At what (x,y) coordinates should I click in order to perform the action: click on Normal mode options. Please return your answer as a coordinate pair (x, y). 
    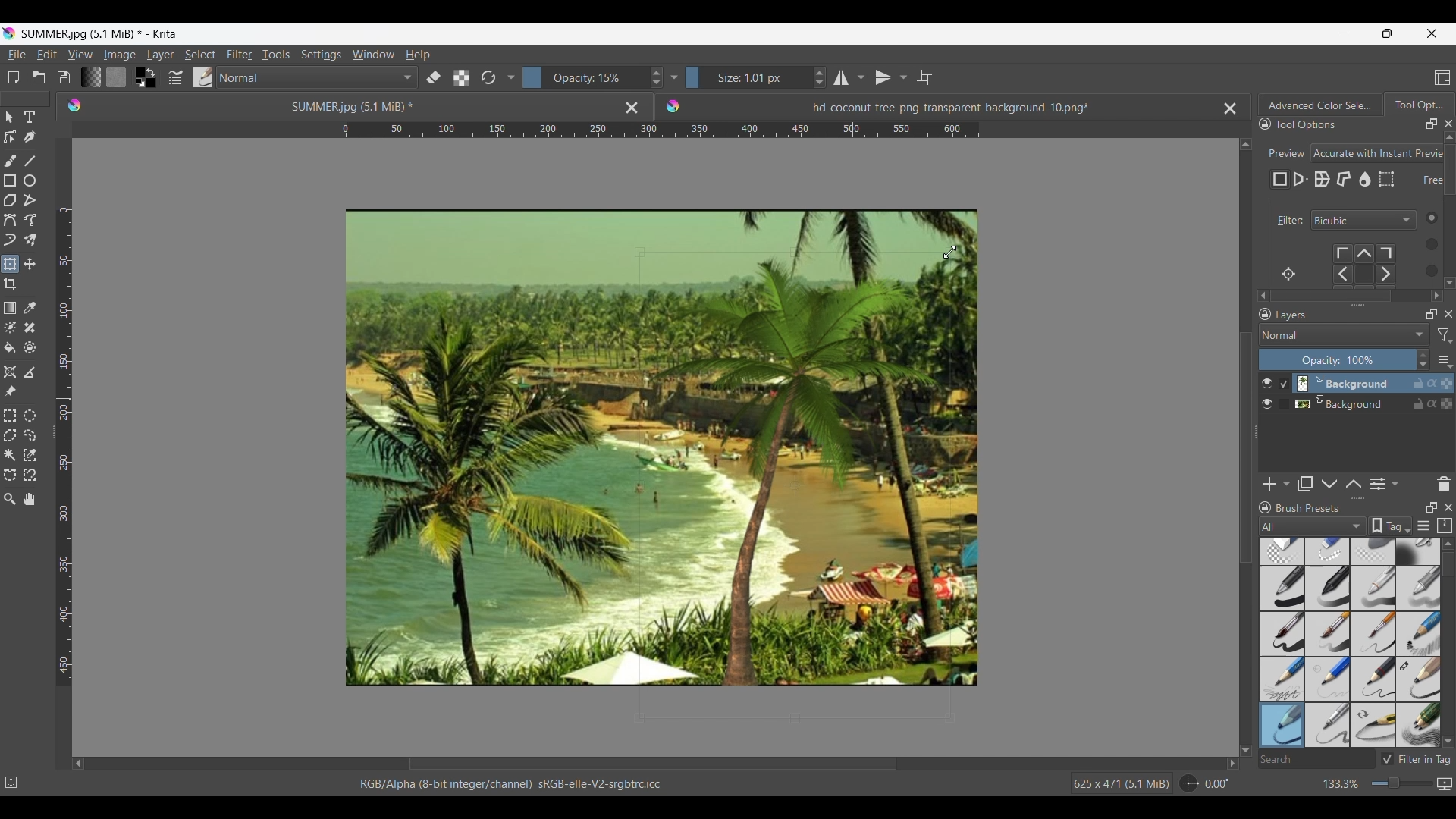
    Looking at the image, I should click on (1344, 334).